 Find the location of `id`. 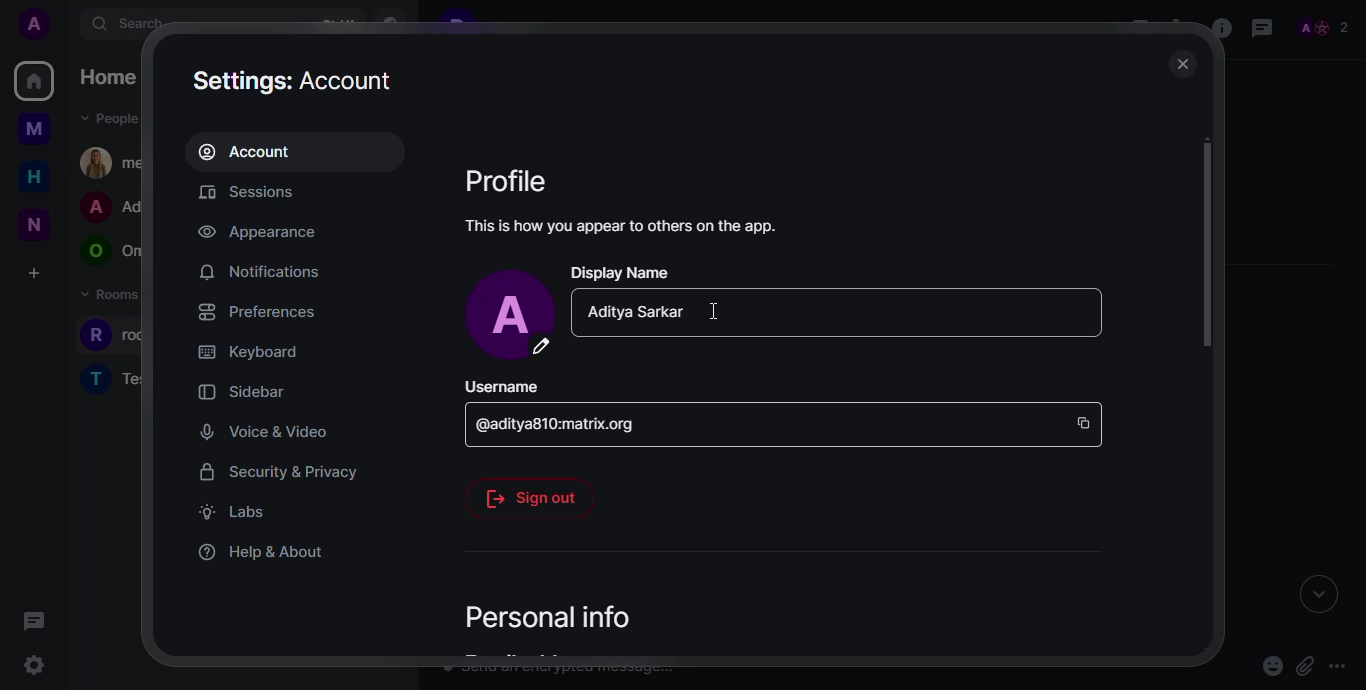

id is located at coordinates (565, 426).